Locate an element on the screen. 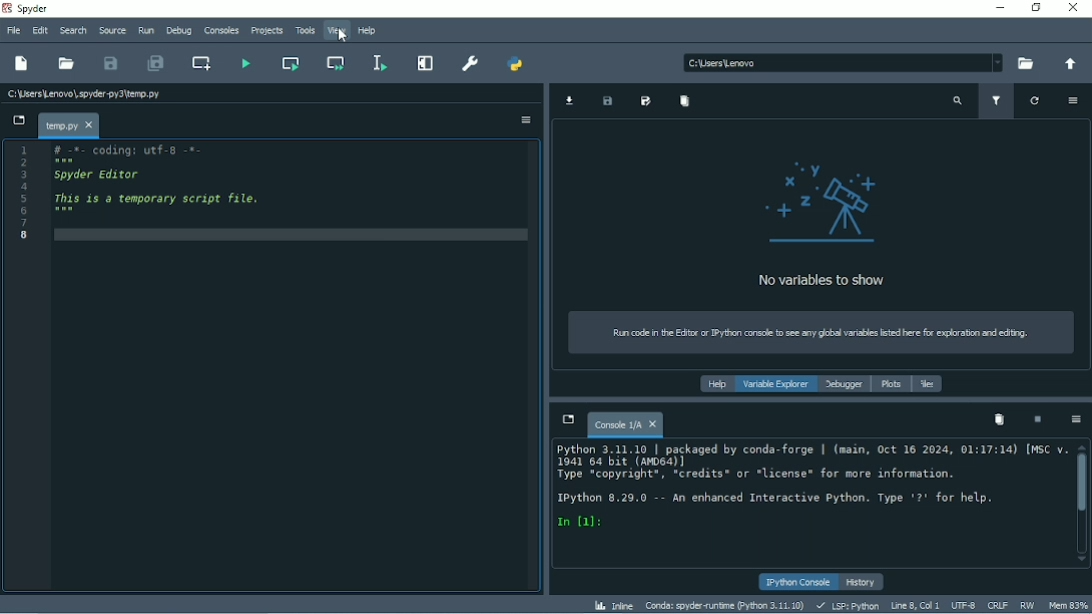  Run selection or current line is located at coordinates (380, 63).